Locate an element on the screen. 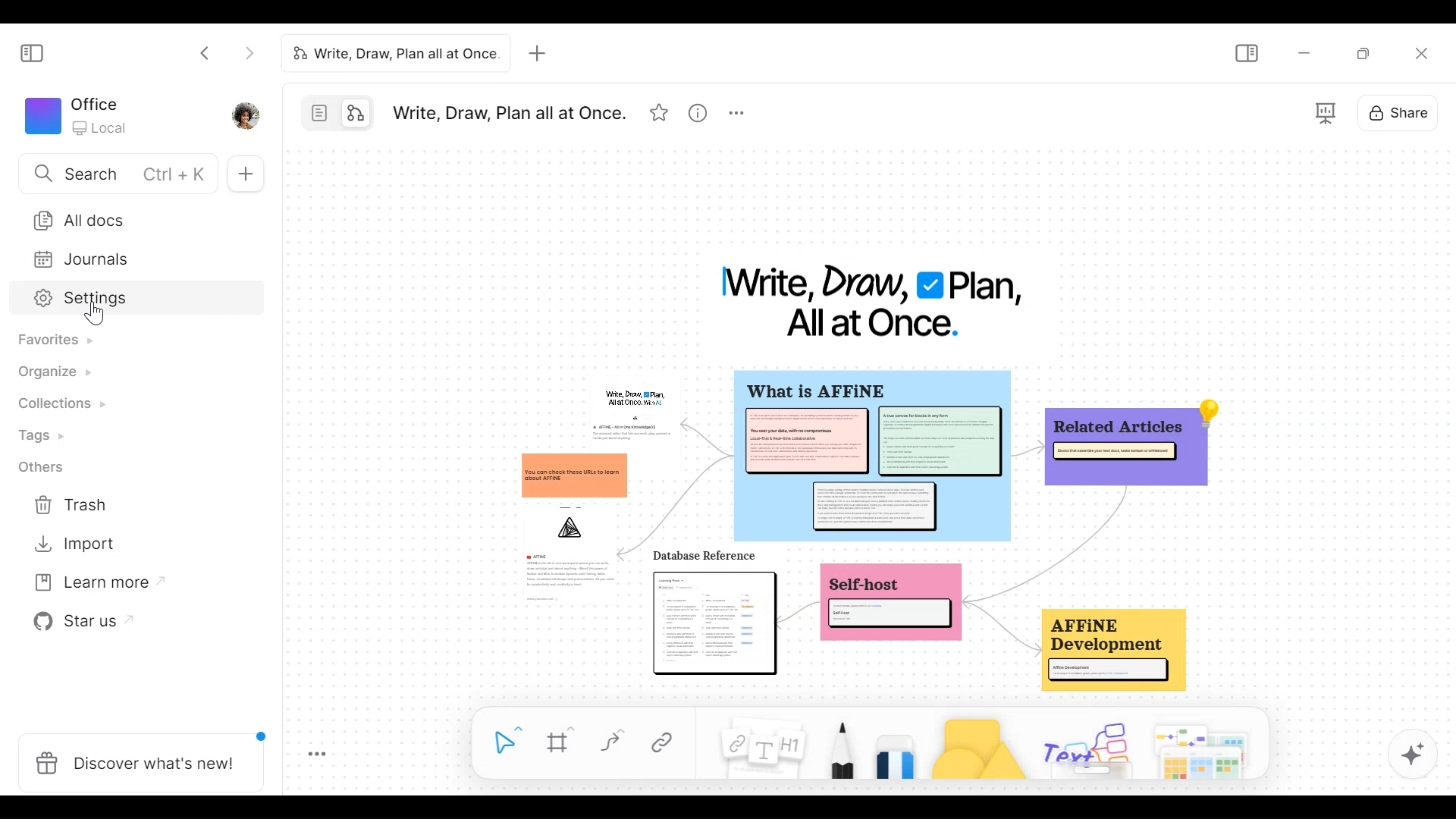 Image resolution: width=1456 pixels, height=819 pixels. Profile picture is located at coordinates (244, 115).